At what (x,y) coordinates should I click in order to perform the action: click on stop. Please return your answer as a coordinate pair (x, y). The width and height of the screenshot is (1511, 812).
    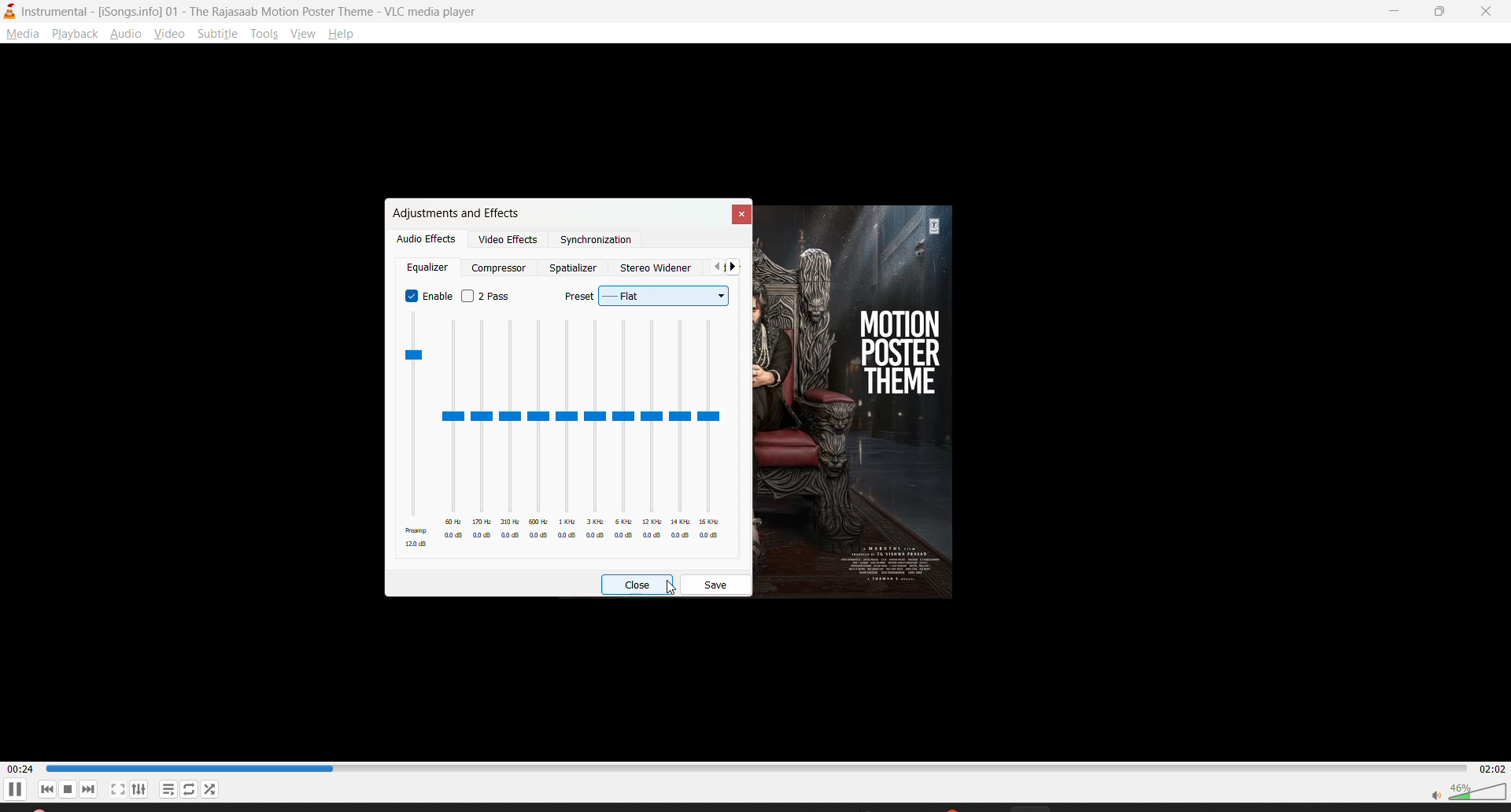
    Looking at the image, I should click on (68, 789).